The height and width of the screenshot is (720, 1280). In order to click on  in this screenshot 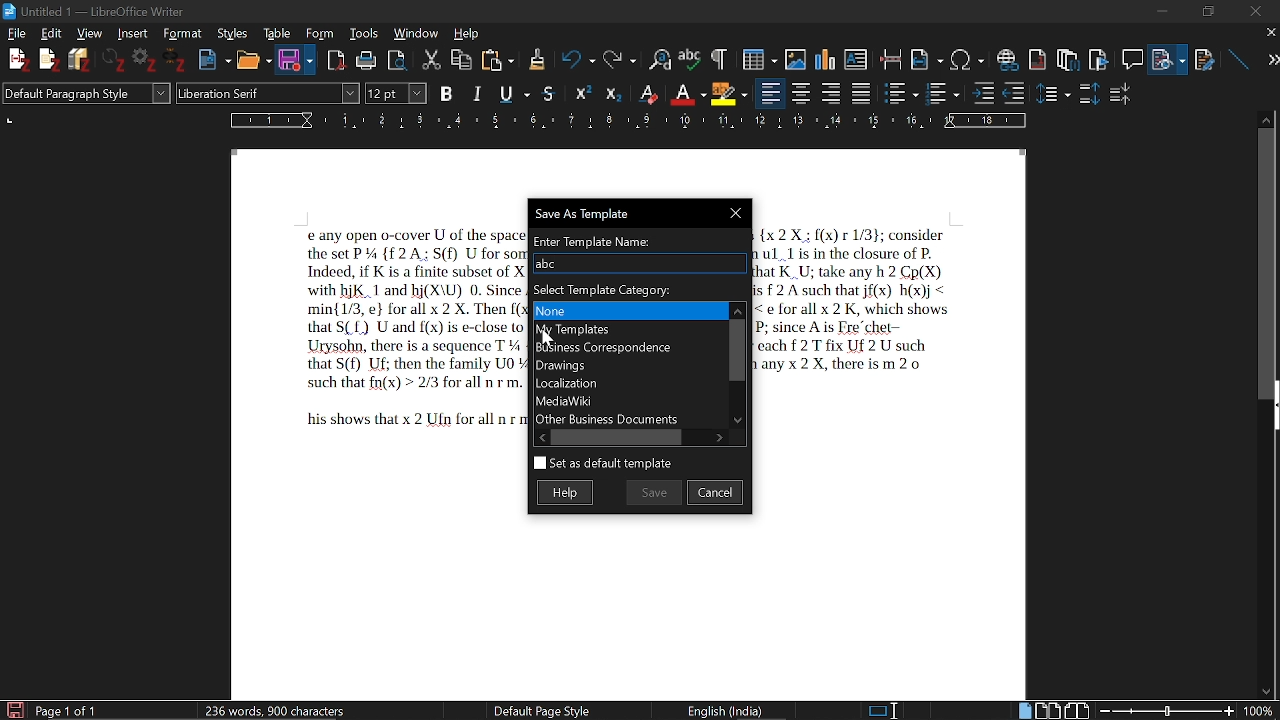, I will do `click(536, 59)`.